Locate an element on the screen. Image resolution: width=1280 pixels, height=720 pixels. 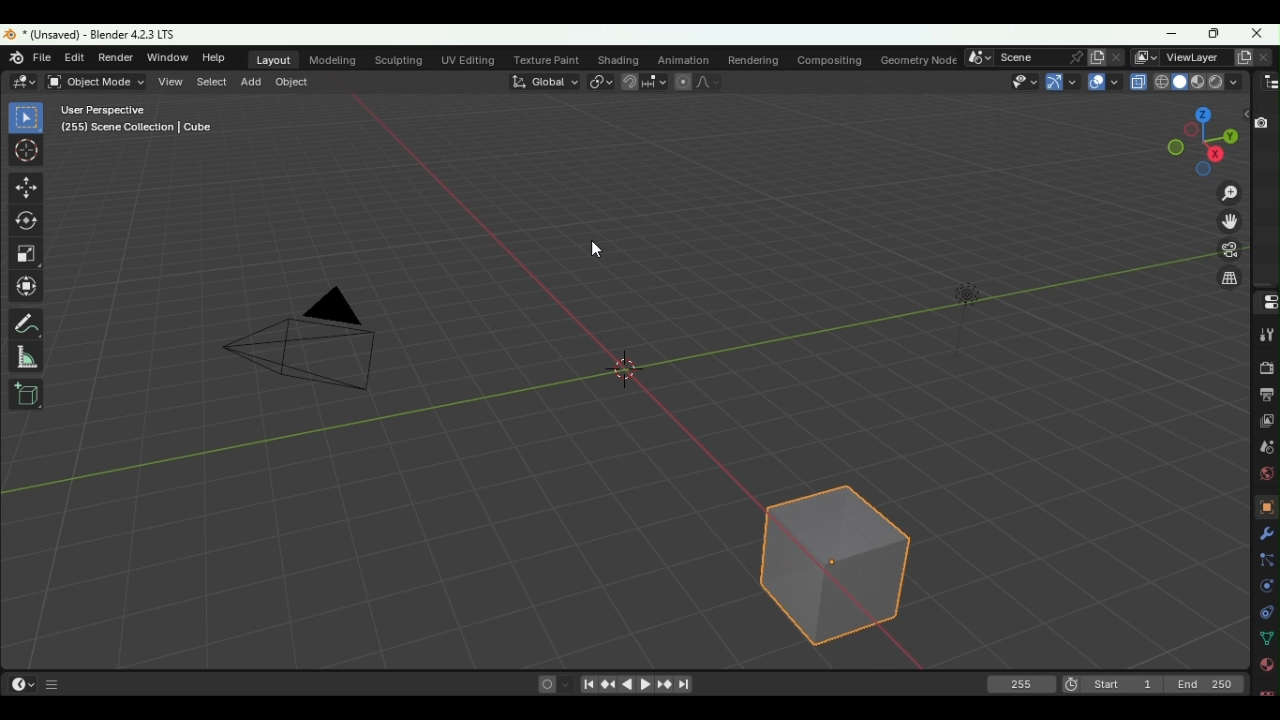
Name is located at coordinates (1191, 56).